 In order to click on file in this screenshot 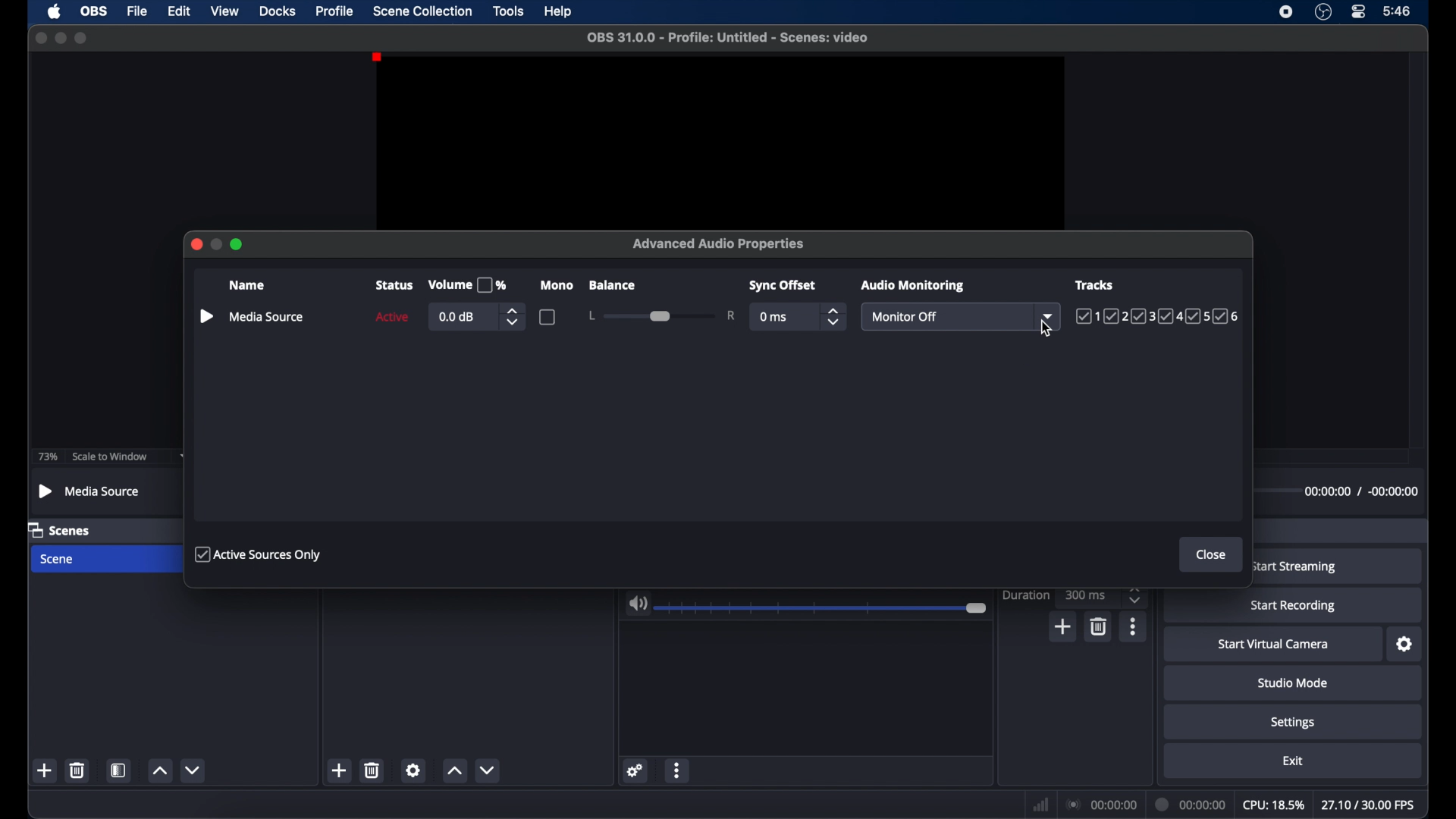, I will do `click(136, 11)`.